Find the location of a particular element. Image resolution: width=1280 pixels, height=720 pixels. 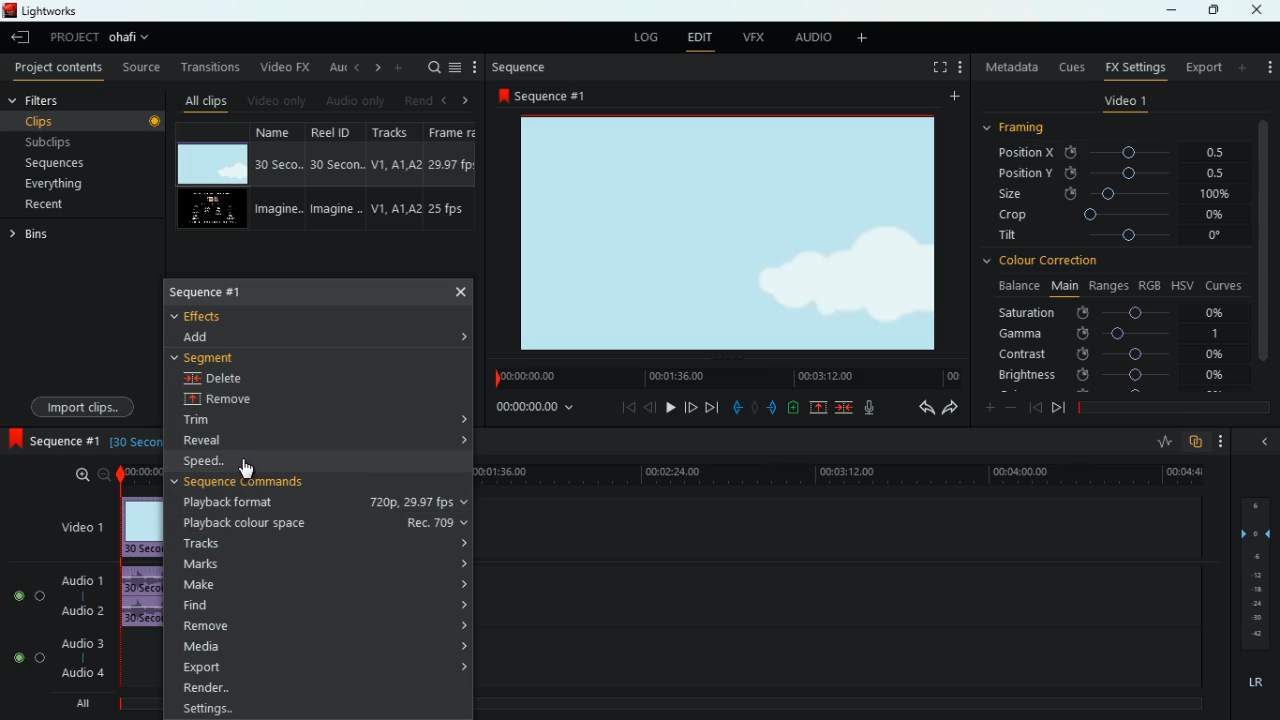

more is located at coordinates (475, 66).